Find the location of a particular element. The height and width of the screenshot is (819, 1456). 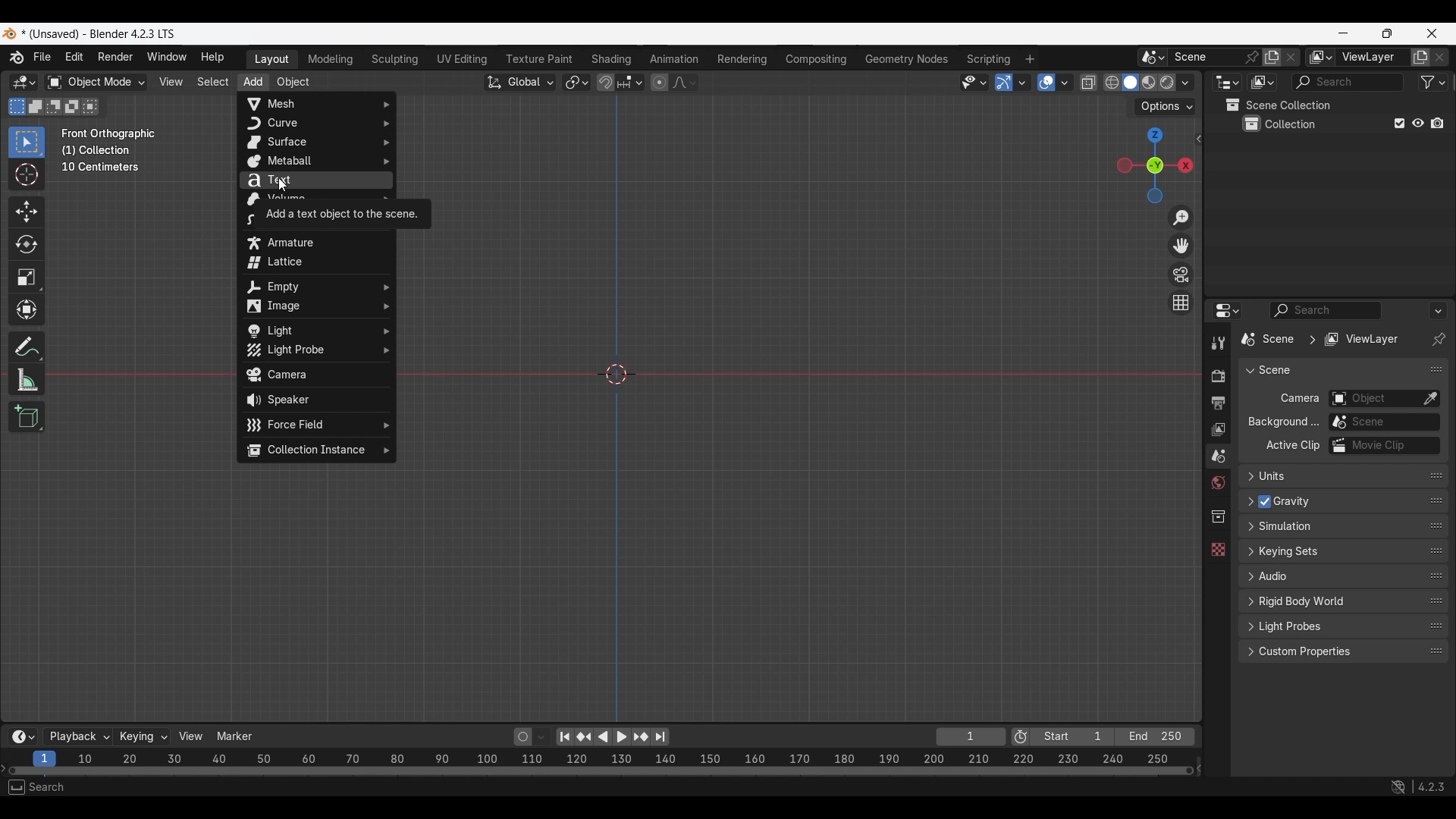

Edit menu is located at coordinates (74, 58).